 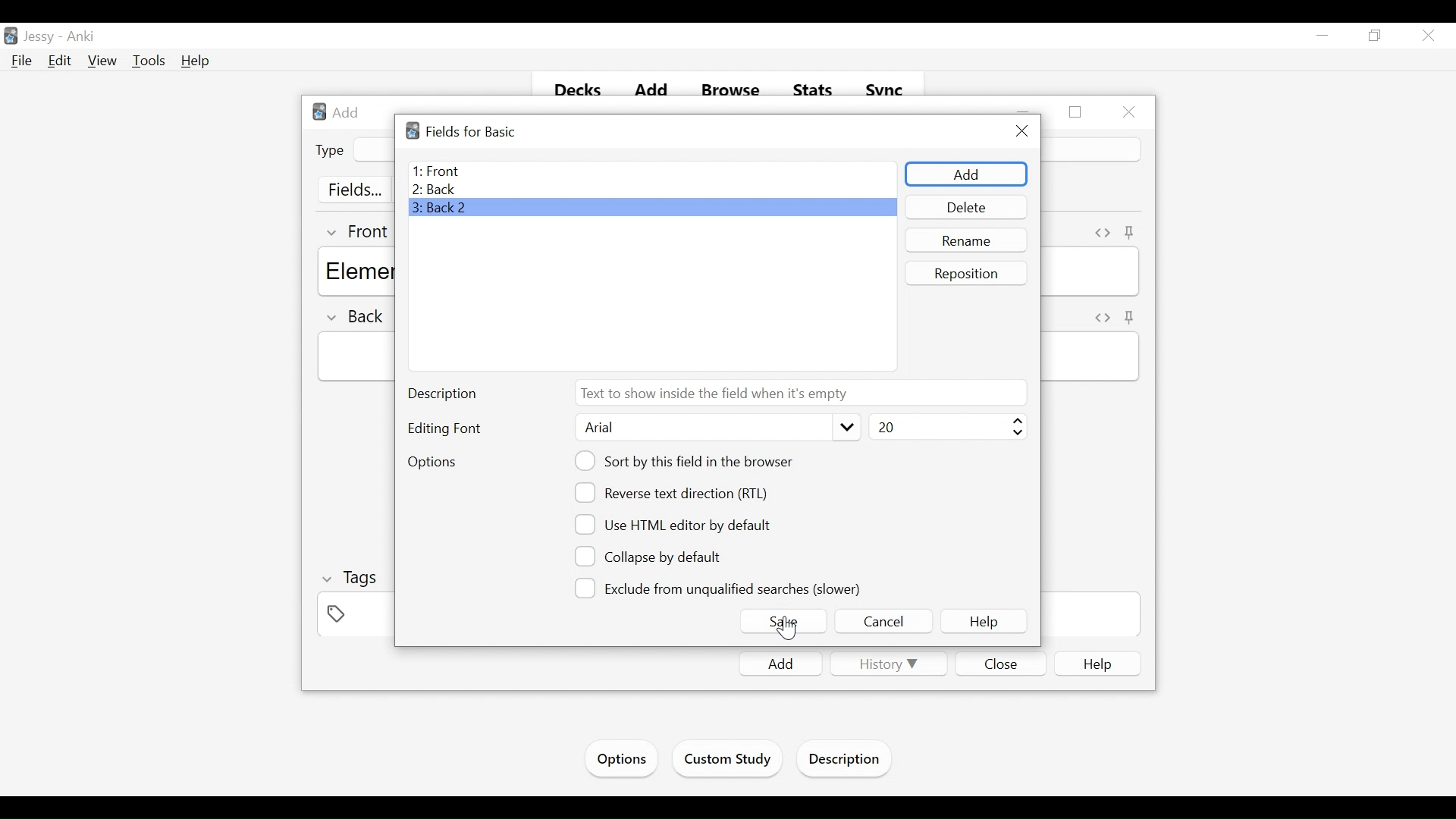 I want to click on Restore, so click(x=1373, y=36).